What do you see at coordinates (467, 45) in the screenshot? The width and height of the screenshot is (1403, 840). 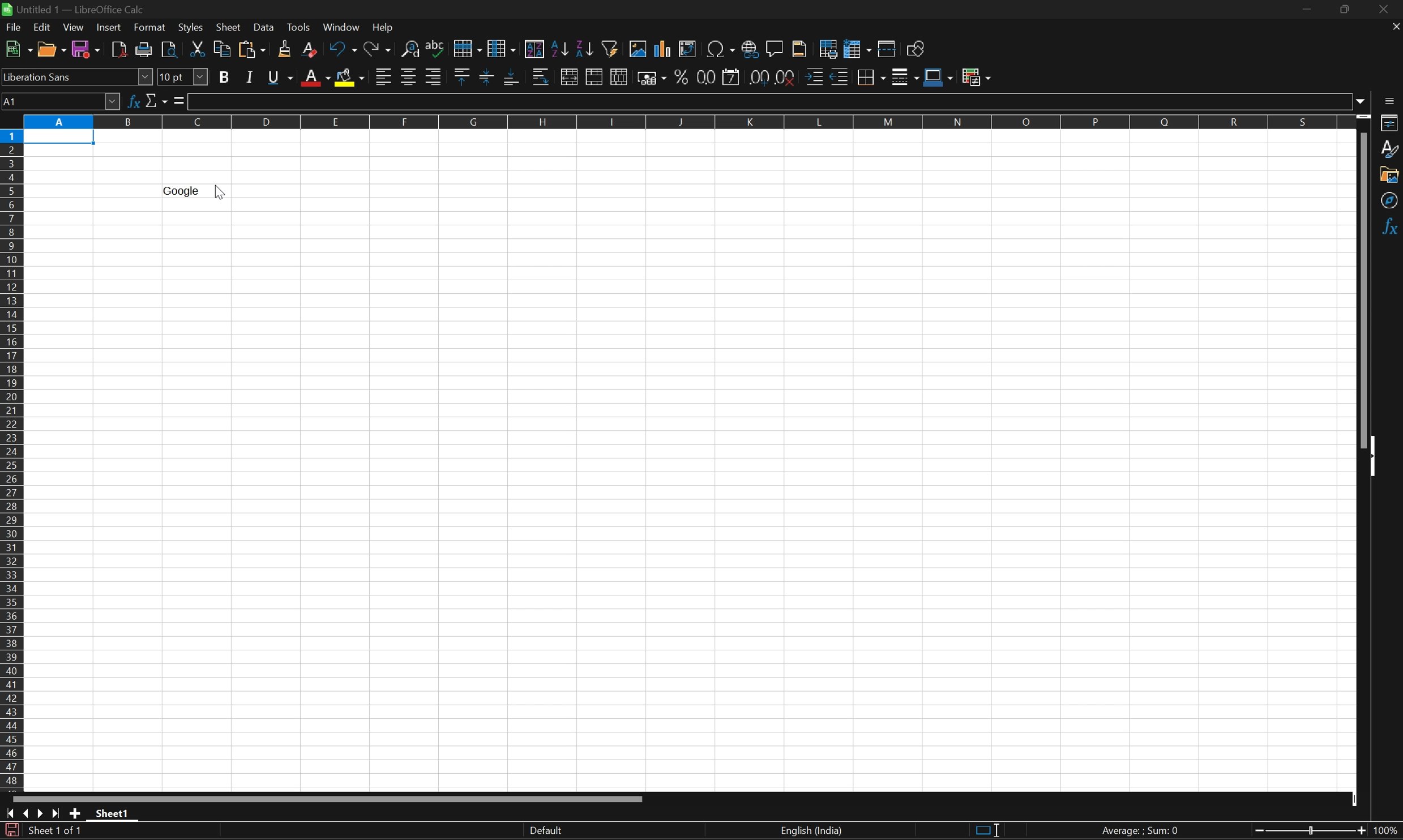 I see `Row` at bounding box center [467, 45].